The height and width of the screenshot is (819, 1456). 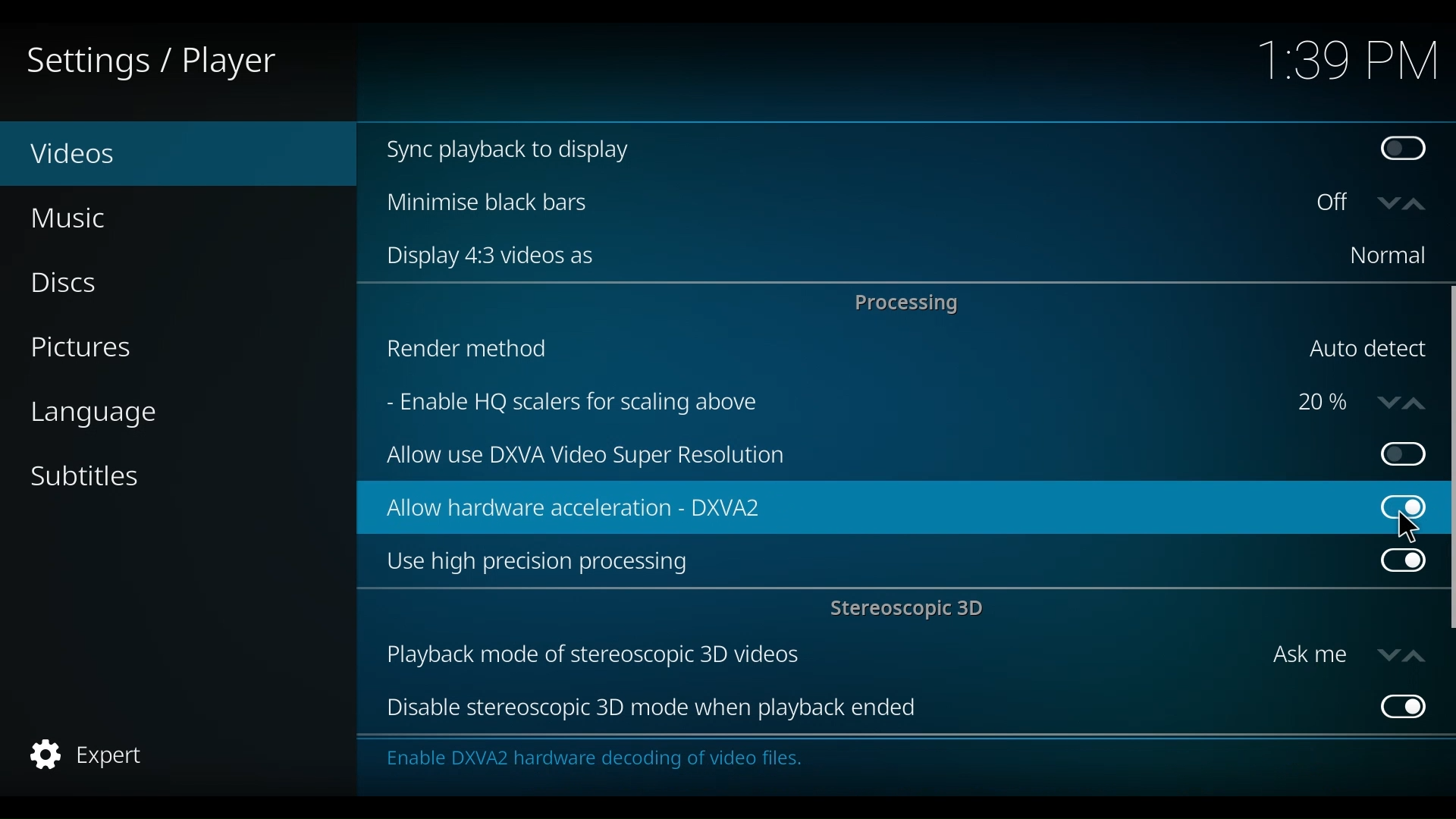 I want to click on Pictures, so click(x=86, y=350).